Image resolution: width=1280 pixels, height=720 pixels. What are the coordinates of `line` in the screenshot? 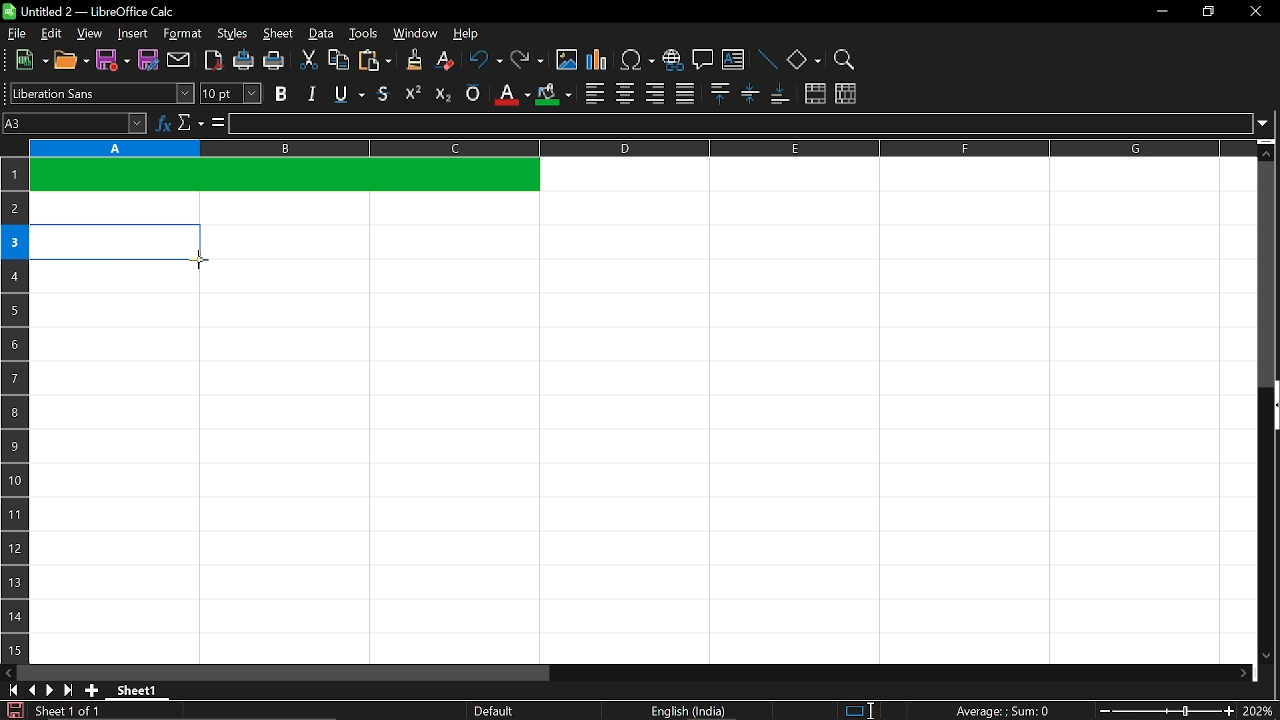 It's located at (767, 59).